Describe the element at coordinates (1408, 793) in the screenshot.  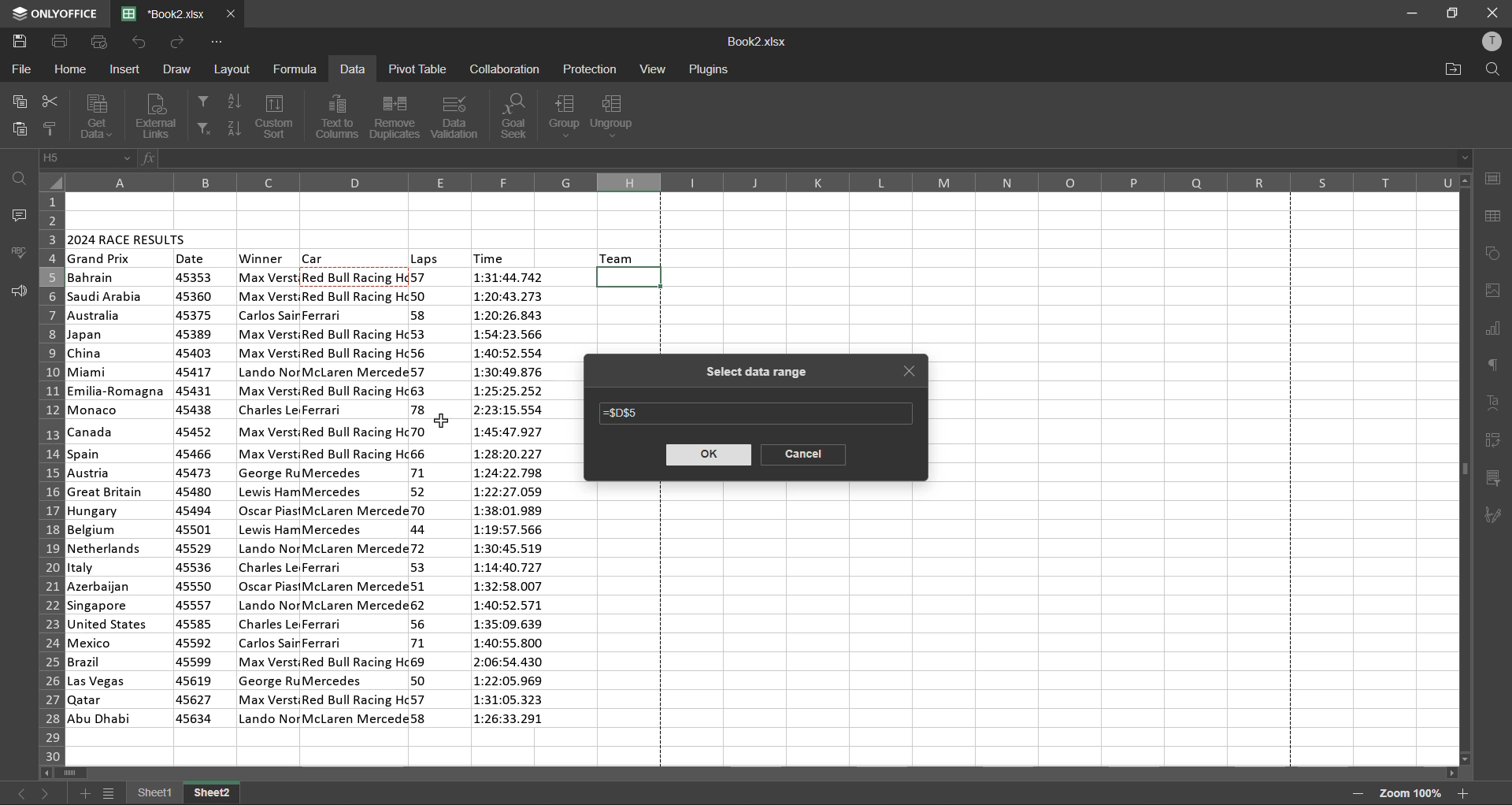
I see `zoom factor` at that location.